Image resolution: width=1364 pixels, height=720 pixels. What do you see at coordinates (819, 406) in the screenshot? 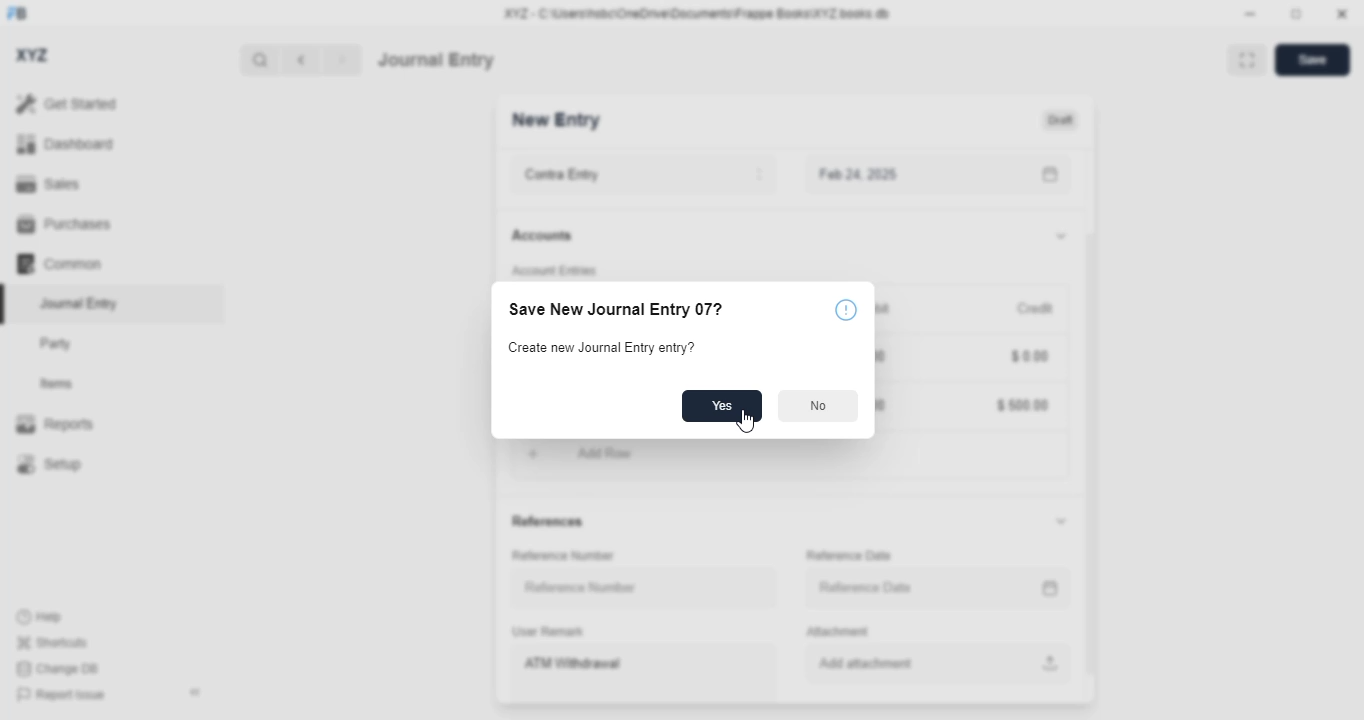
I see `no` at bounding box center [819, 406].